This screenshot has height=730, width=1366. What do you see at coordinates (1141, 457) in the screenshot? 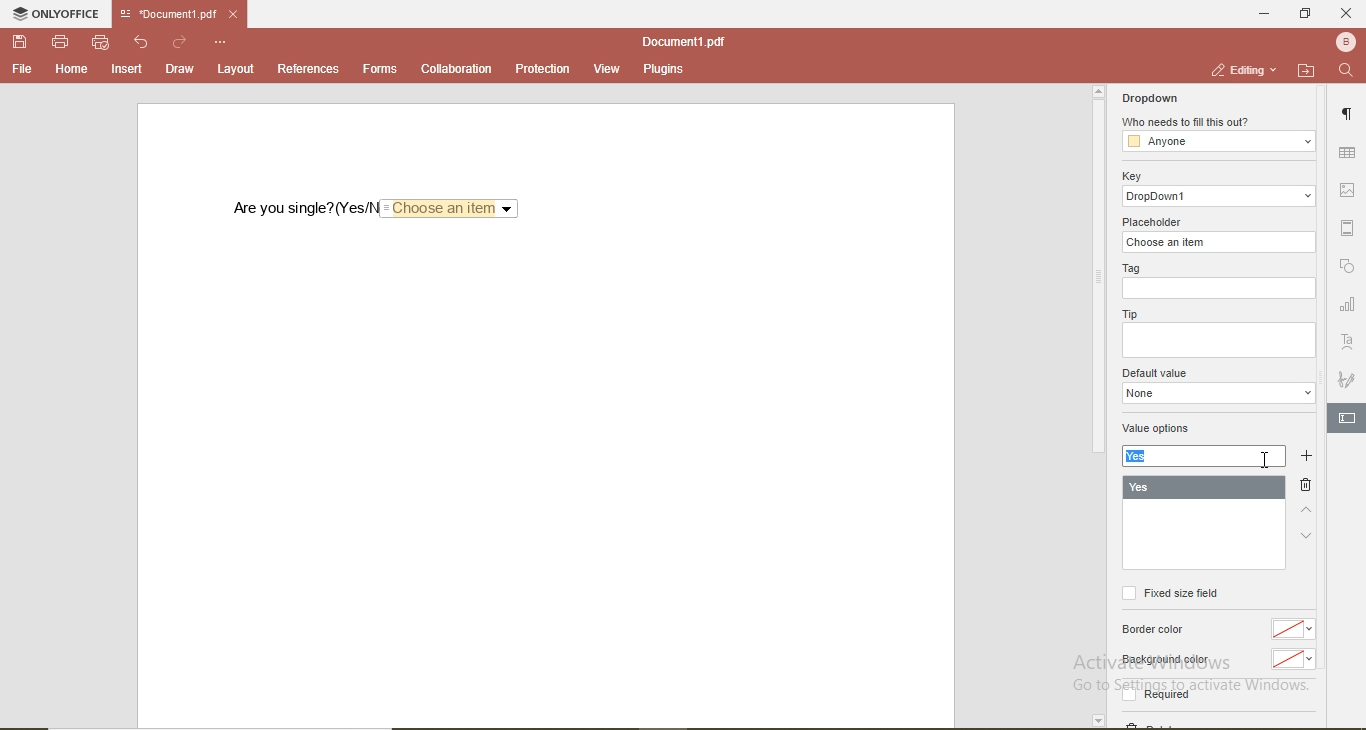
I see `yes` at bounding box center [1141, 457].